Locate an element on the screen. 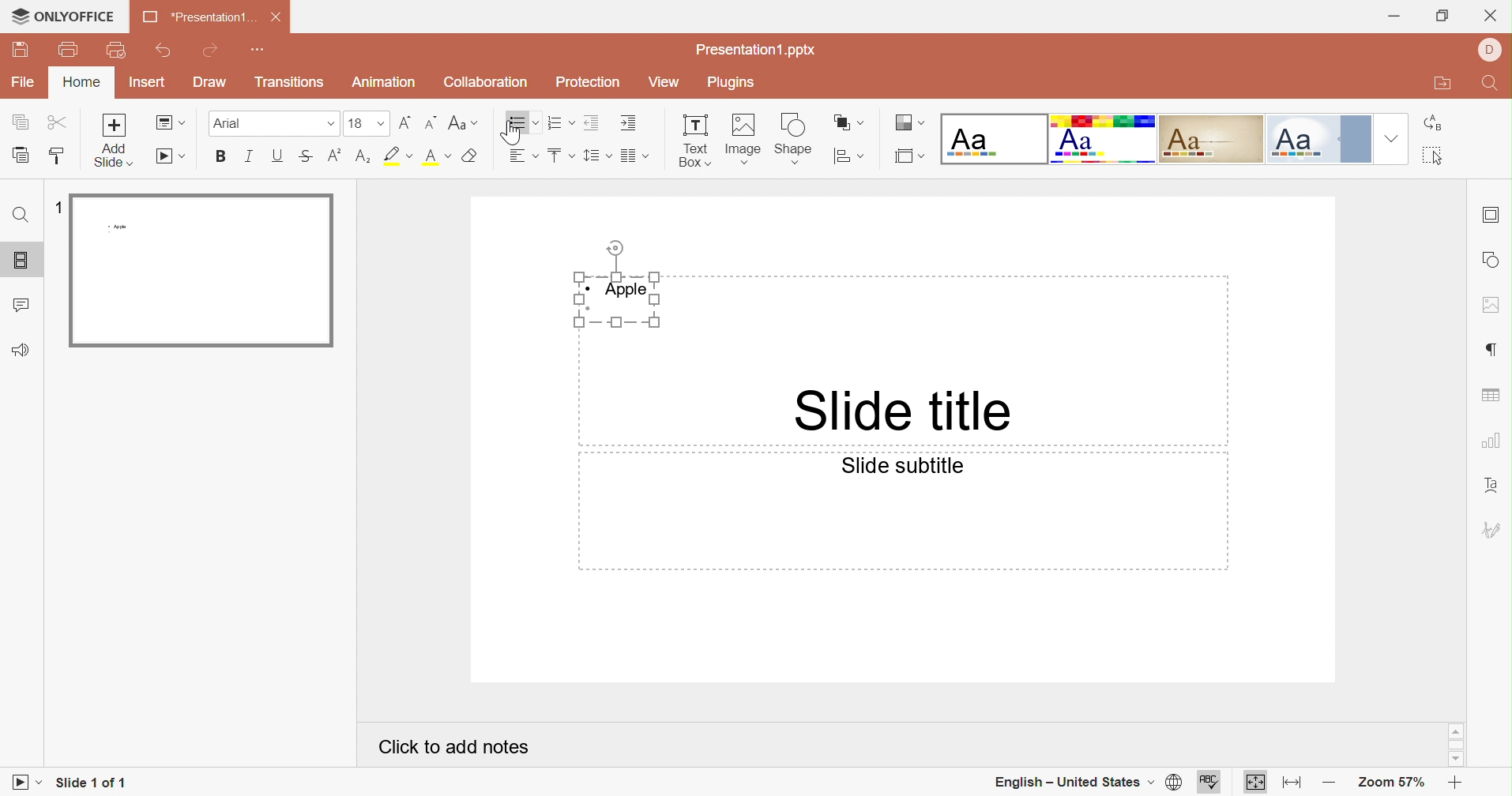 The image size is (1512, 796). Animation is located at coordinates (389, 84).